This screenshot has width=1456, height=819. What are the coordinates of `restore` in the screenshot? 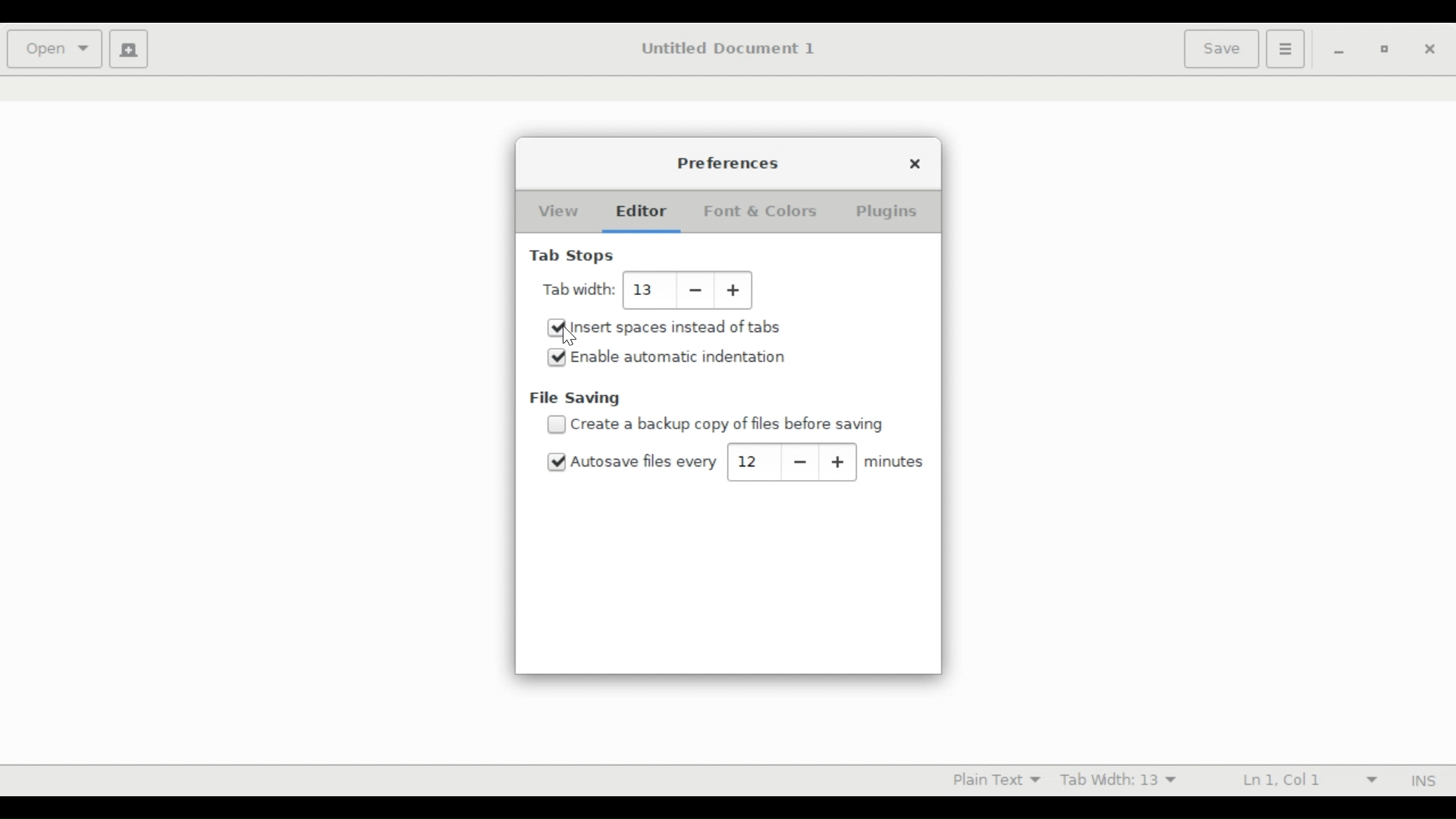 It's located at (1382, 49).